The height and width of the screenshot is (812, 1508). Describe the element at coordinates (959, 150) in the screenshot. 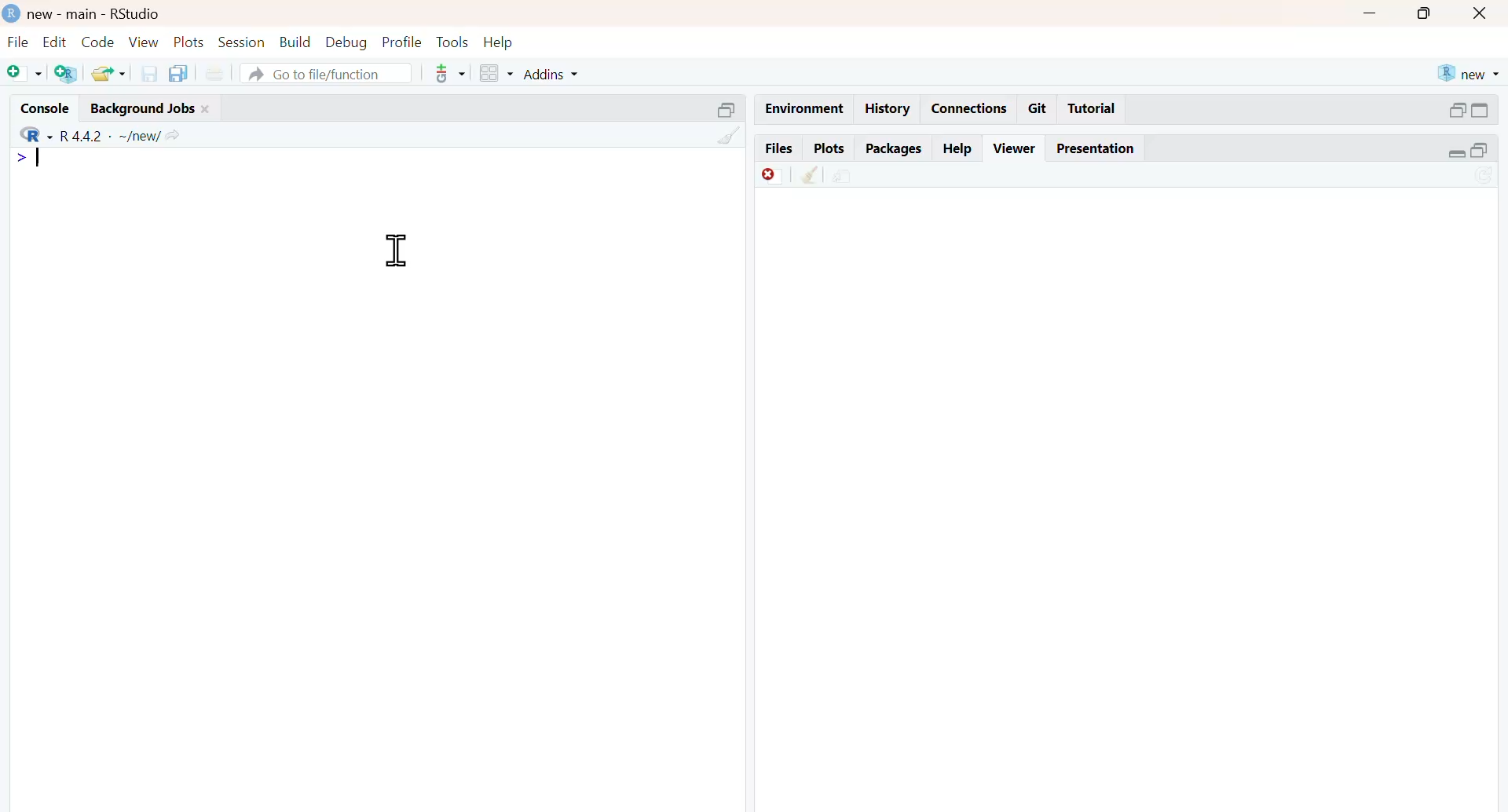

I see `help` at that location.